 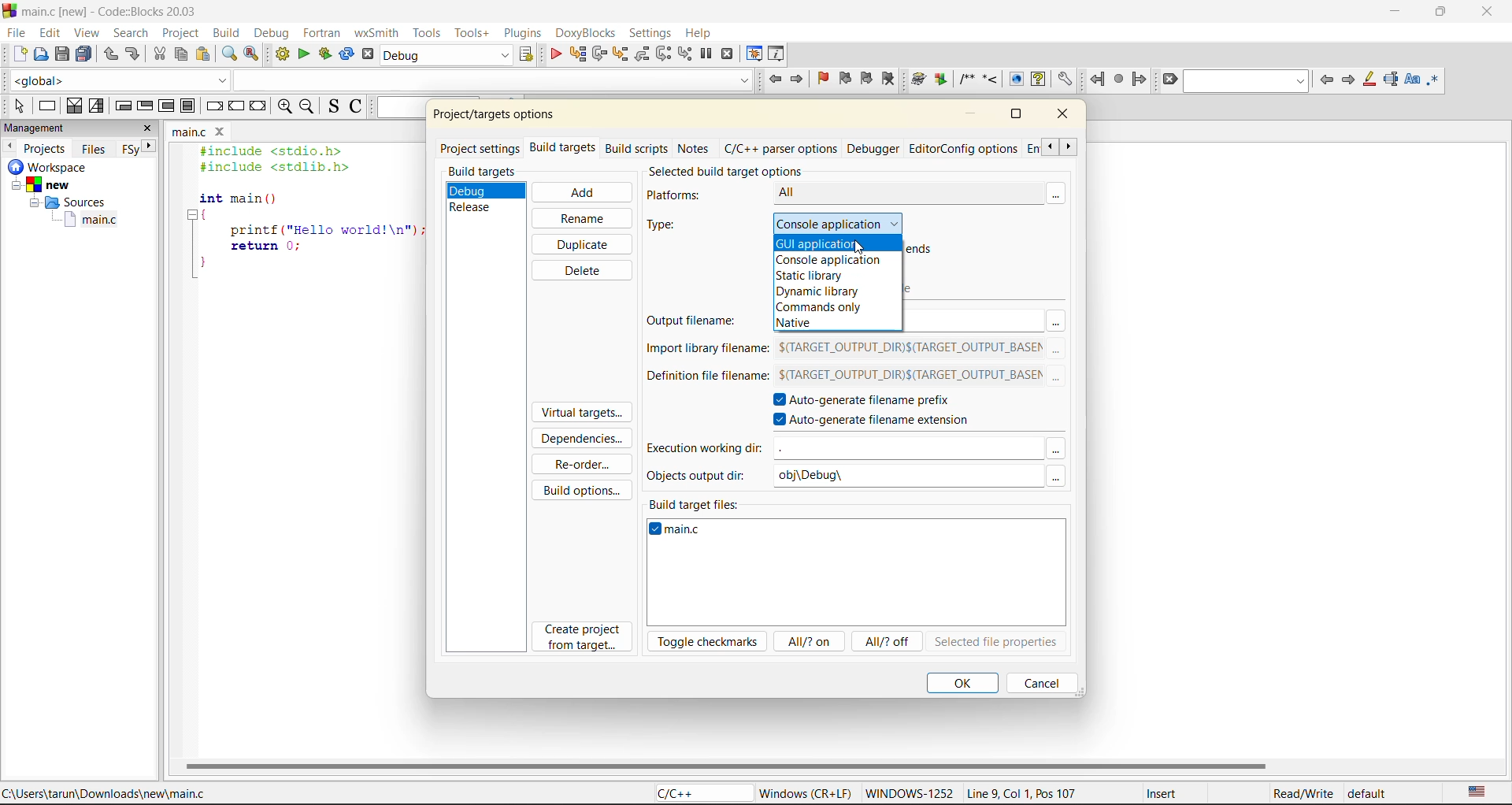 What do you see at coordinates (1185, 792) in the screenshot?
I see `Insert` at bounding box center [1185, 792].